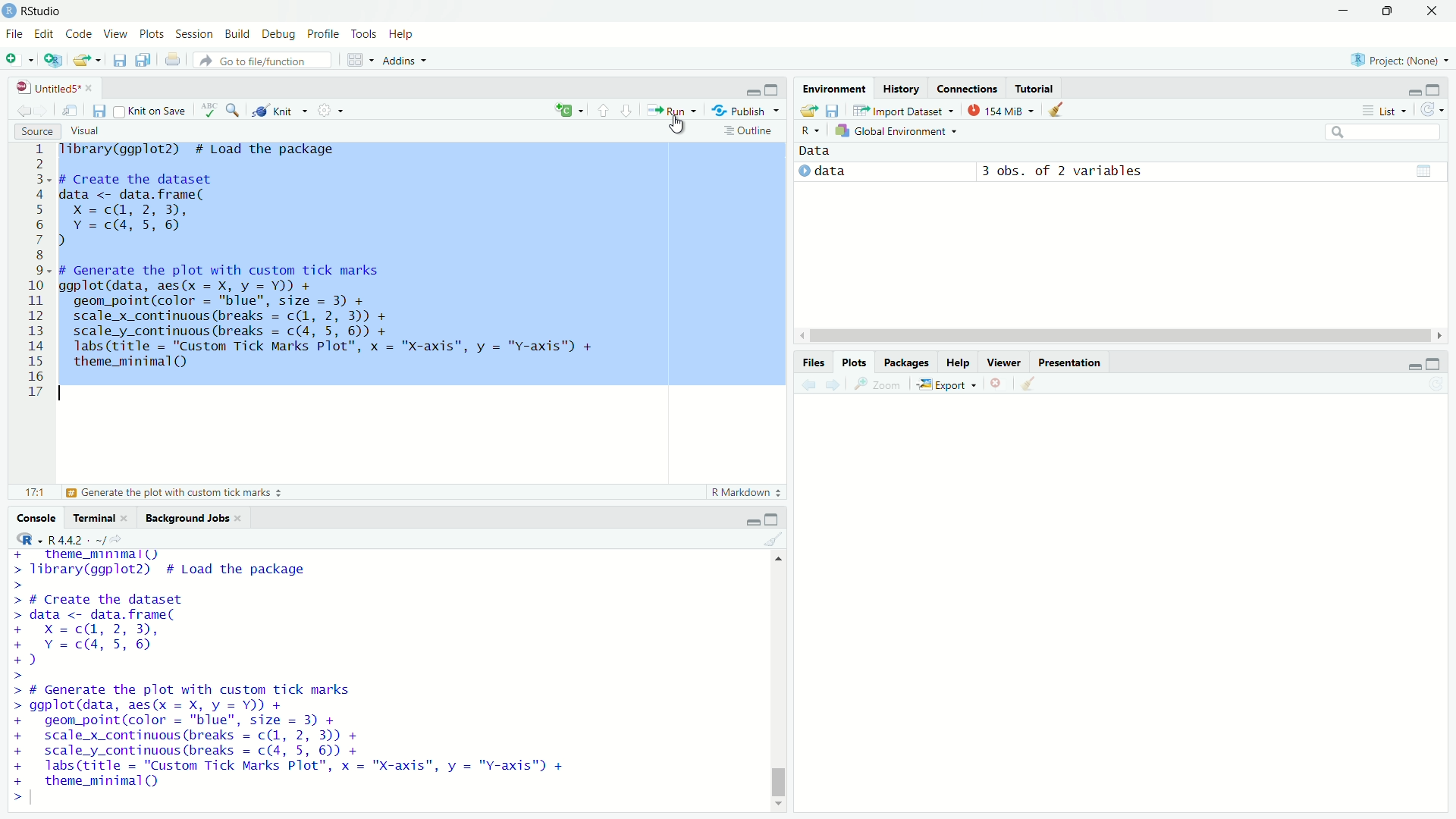 This screenshot has height=819, width=1456. Describe the element at coordinates (1442, 88) in the screenshot. I see `maximize` at that location.